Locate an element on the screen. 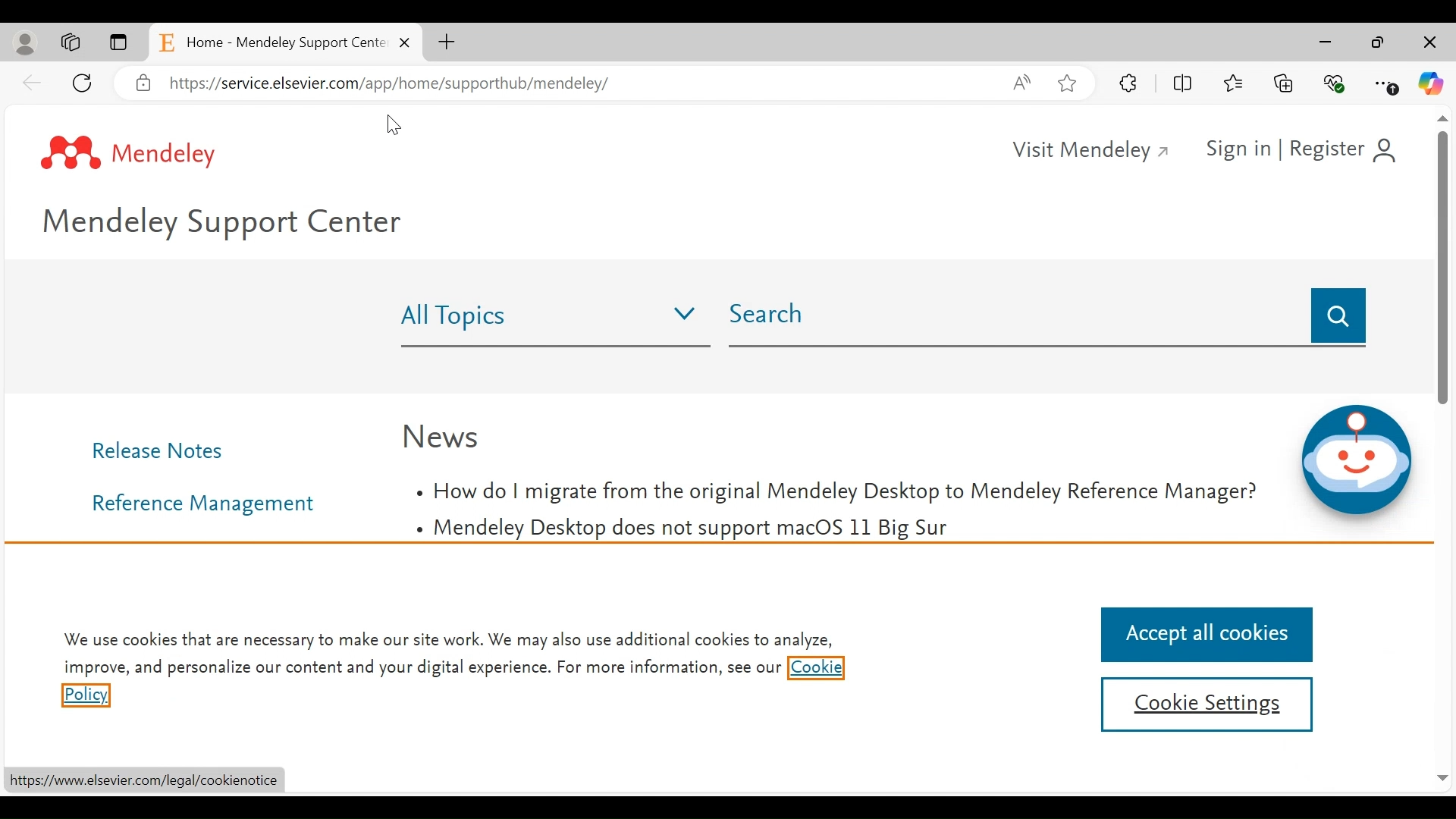 The height and width of the screenshot is (819, 1456). New Tab is located at coordinates (448, 43).